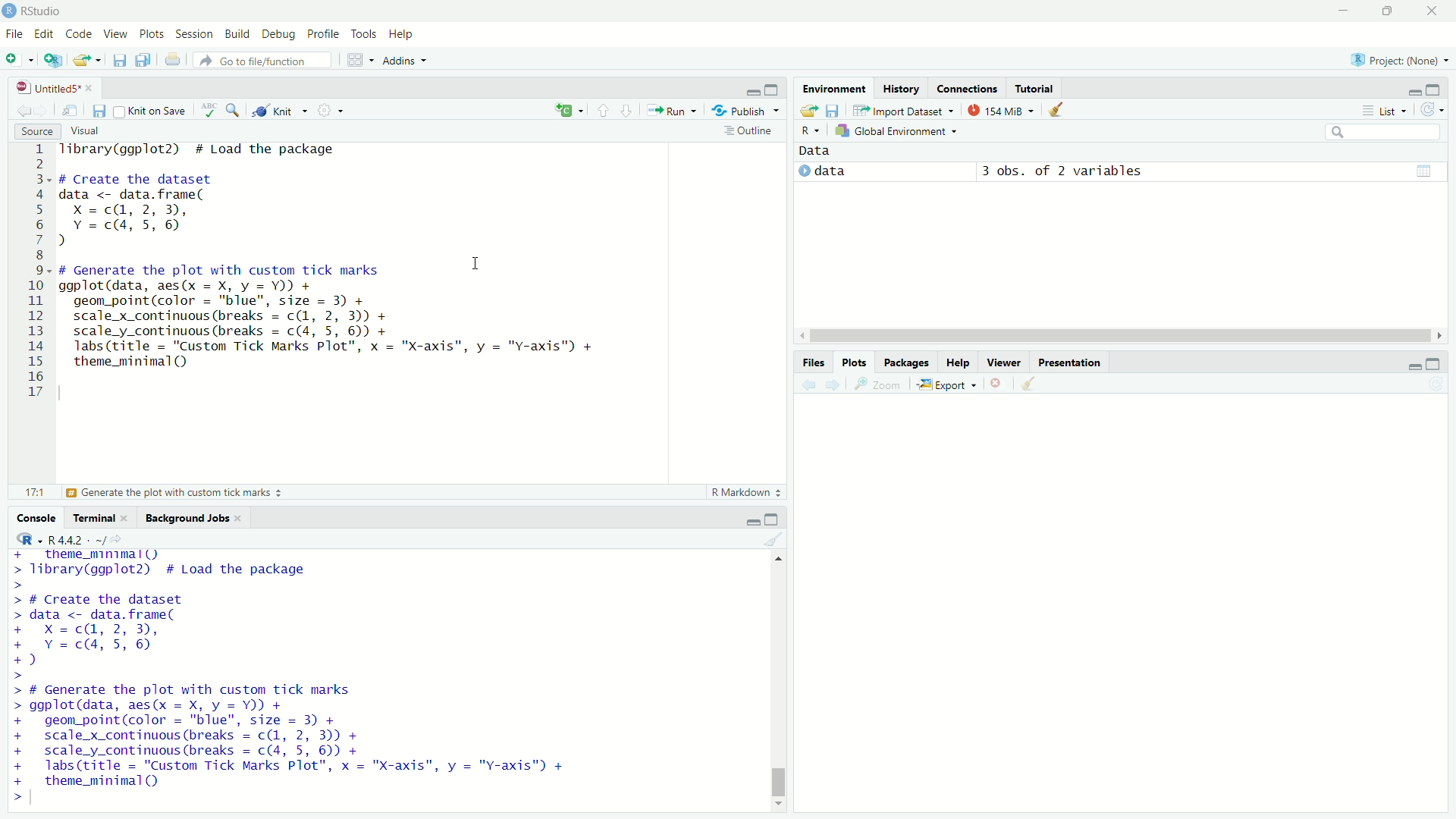 This screenshot has width=1456, height=819. I want to click on R 4.4.2 . ~/, so click(79, 539).